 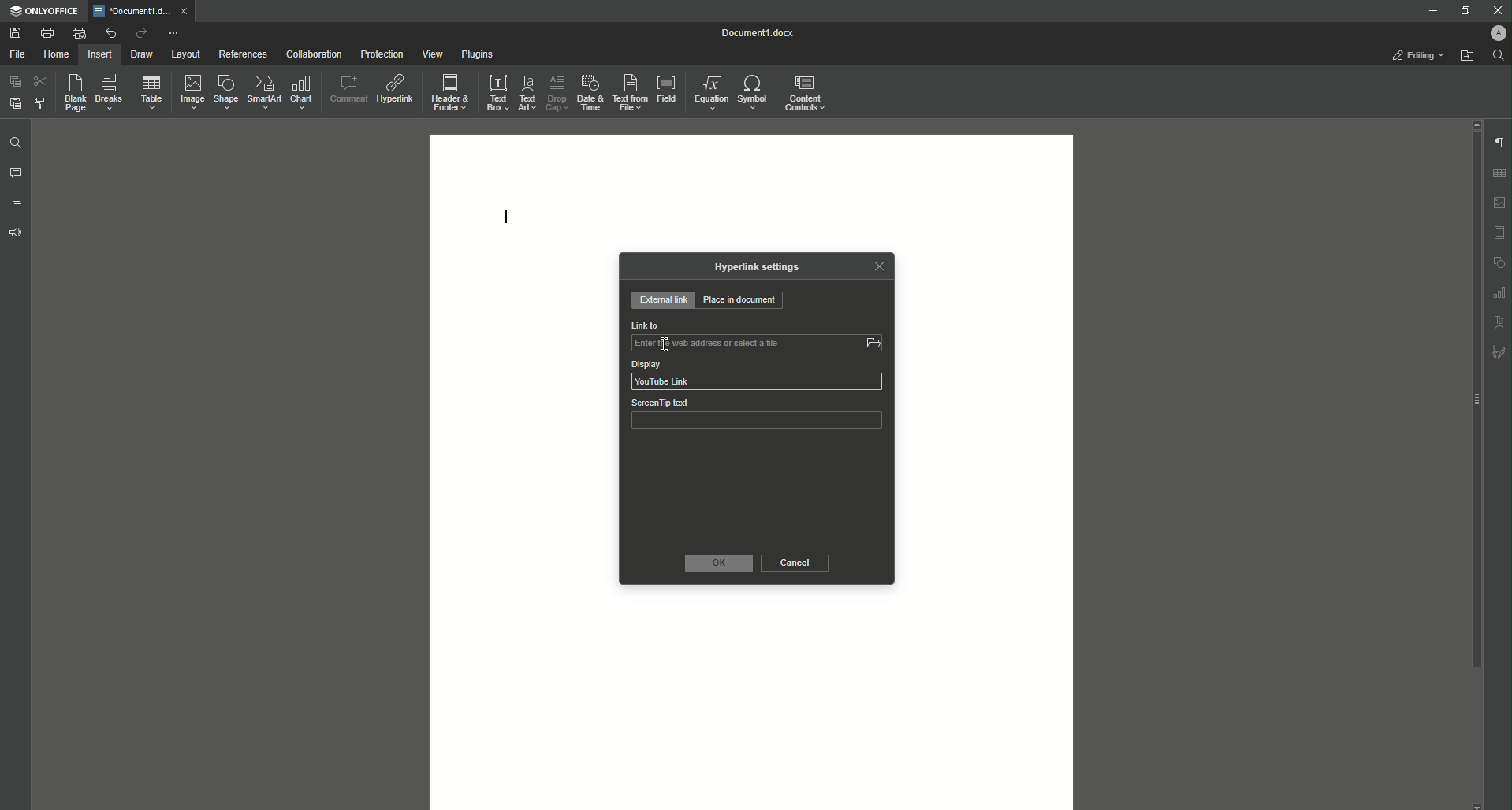 I want to click on Text Art settings, so click(x=1500, y=322).